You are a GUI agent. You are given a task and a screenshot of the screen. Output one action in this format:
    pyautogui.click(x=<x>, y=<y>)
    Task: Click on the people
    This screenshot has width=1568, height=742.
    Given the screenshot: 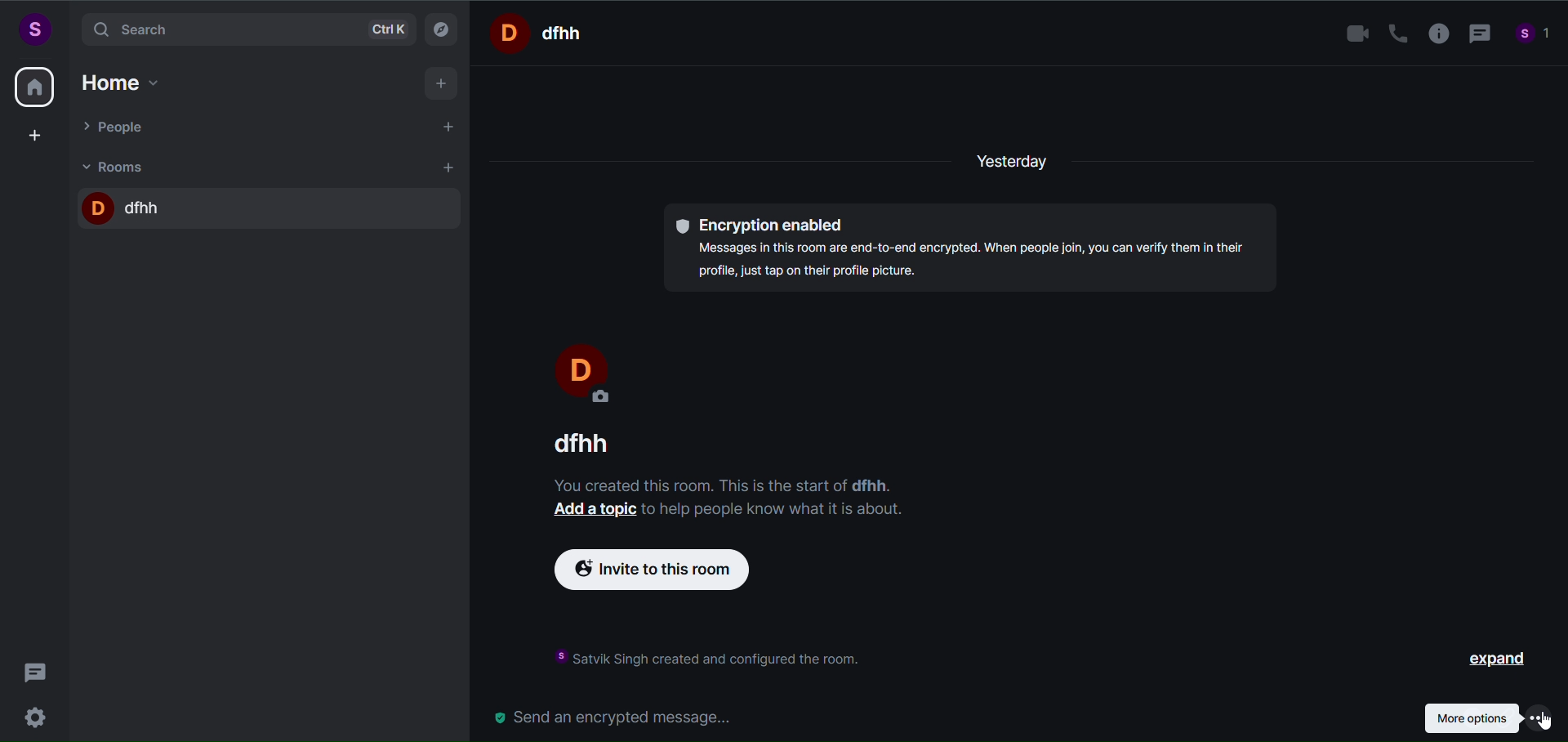 What is the action you would take?
    pyautogui.click(x=117, y=126)
    